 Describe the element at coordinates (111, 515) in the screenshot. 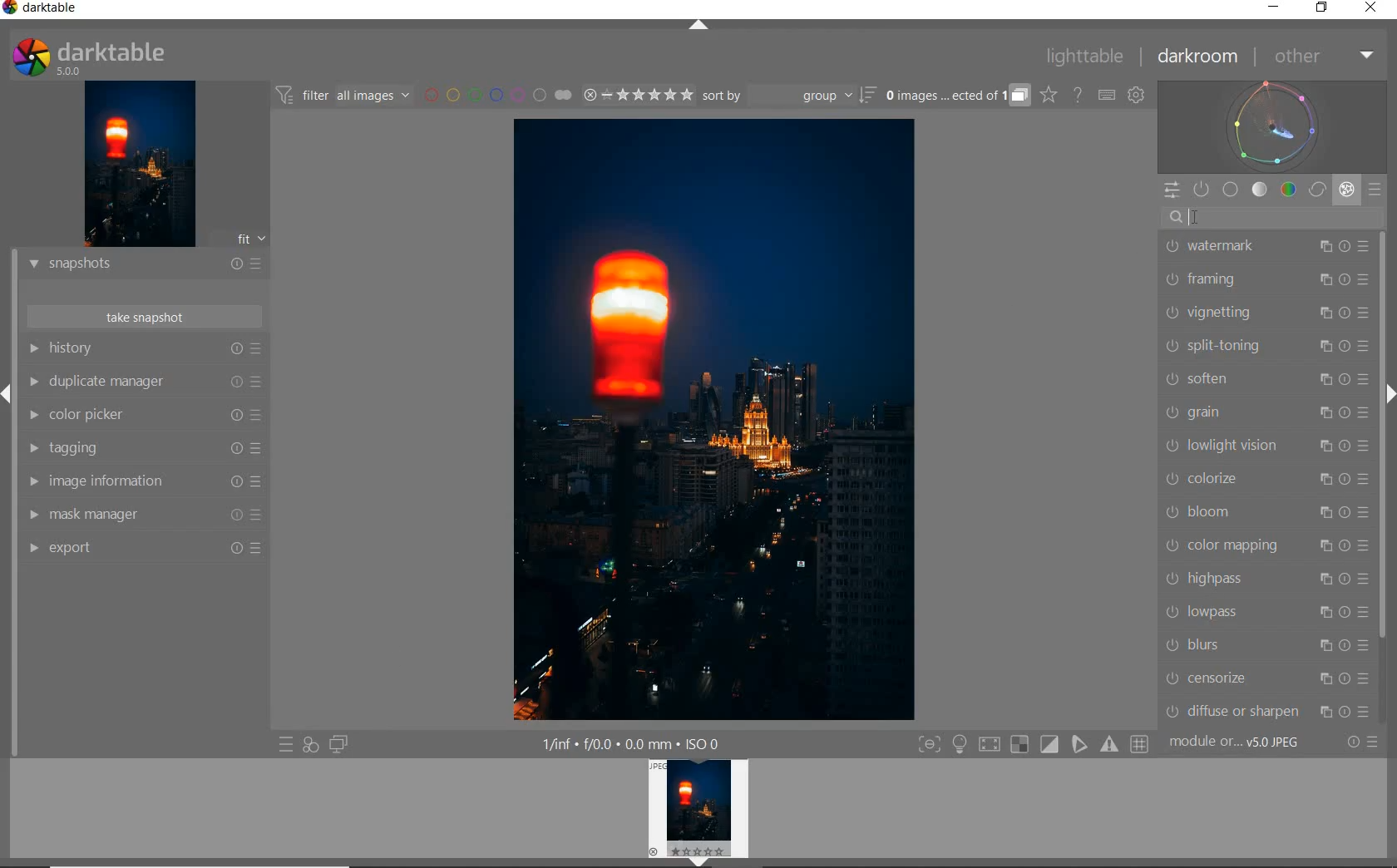

I see `MASK MANAGER` at that location.